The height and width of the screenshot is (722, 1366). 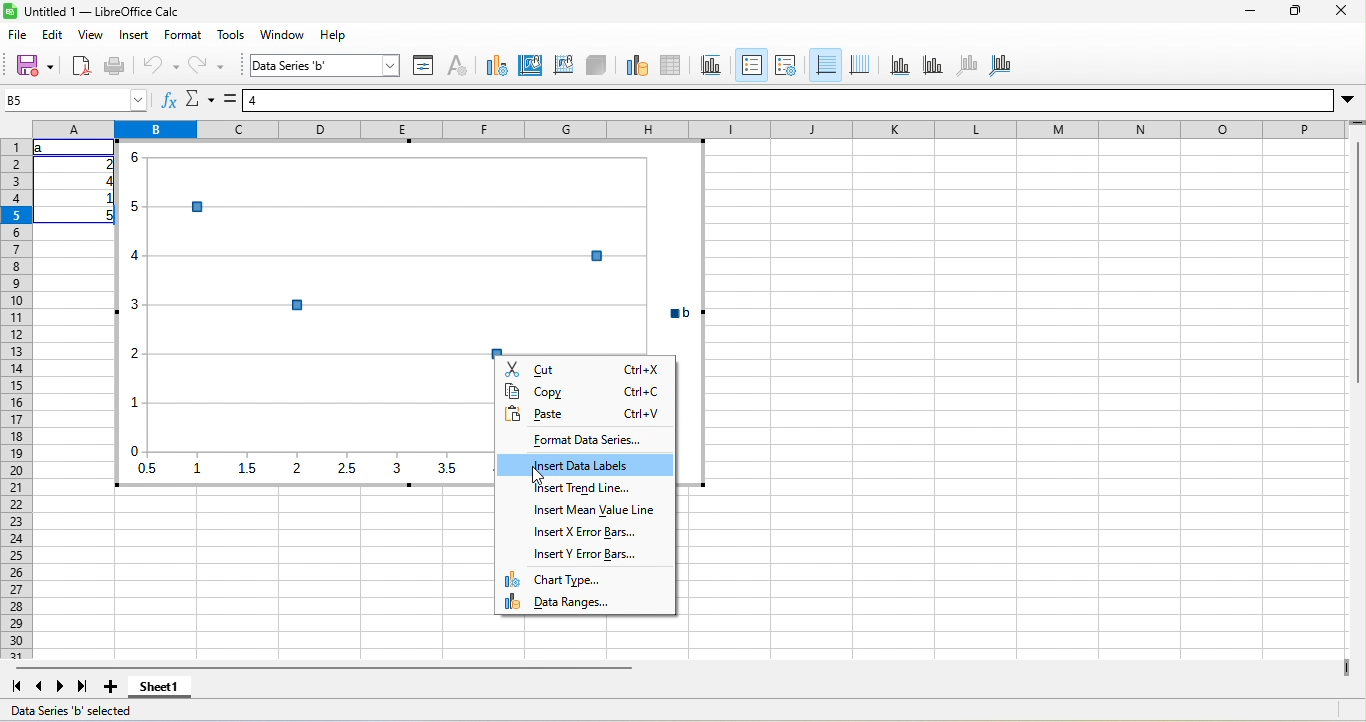 What do you see at coordinates (304, 423) in the screenshot?
I see `XY (Scatter) chart` at bounding box center [304, 423].